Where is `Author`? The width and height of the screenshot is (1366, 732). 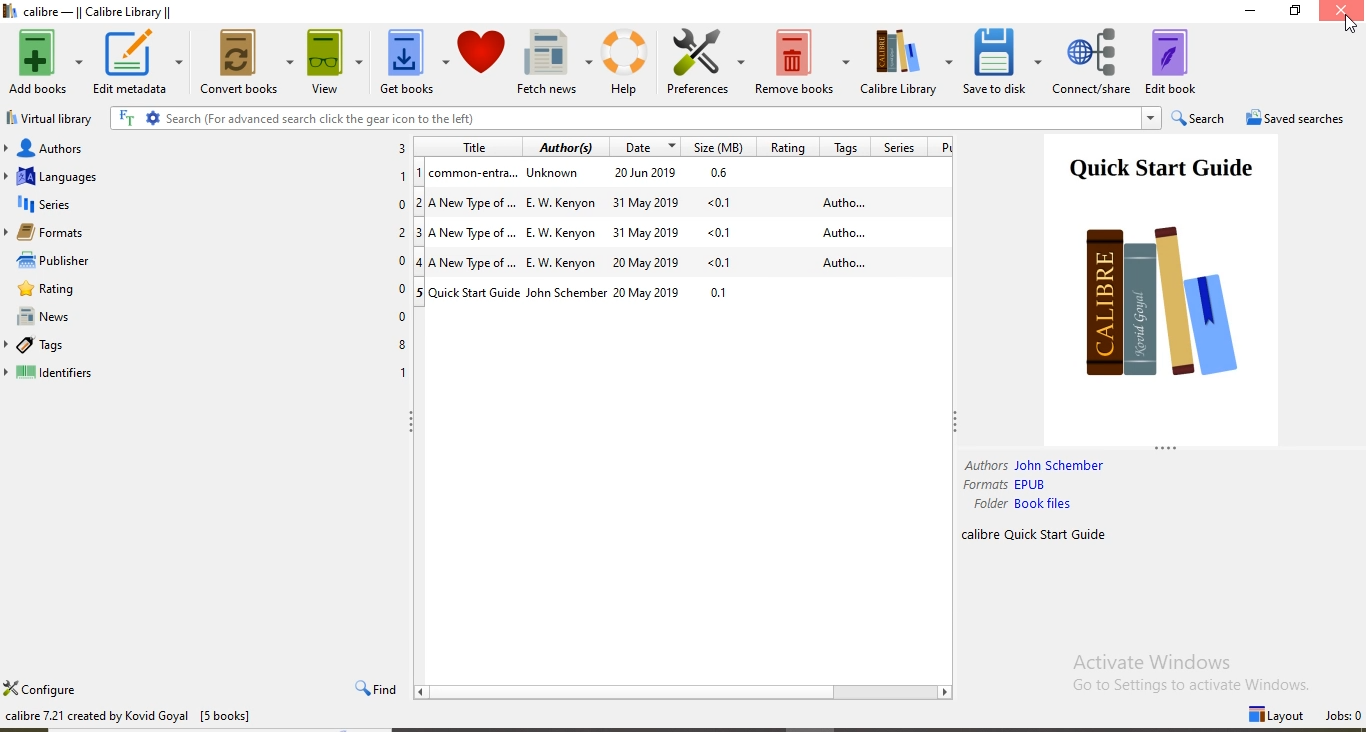
Author is located at coordinates (566, 146).